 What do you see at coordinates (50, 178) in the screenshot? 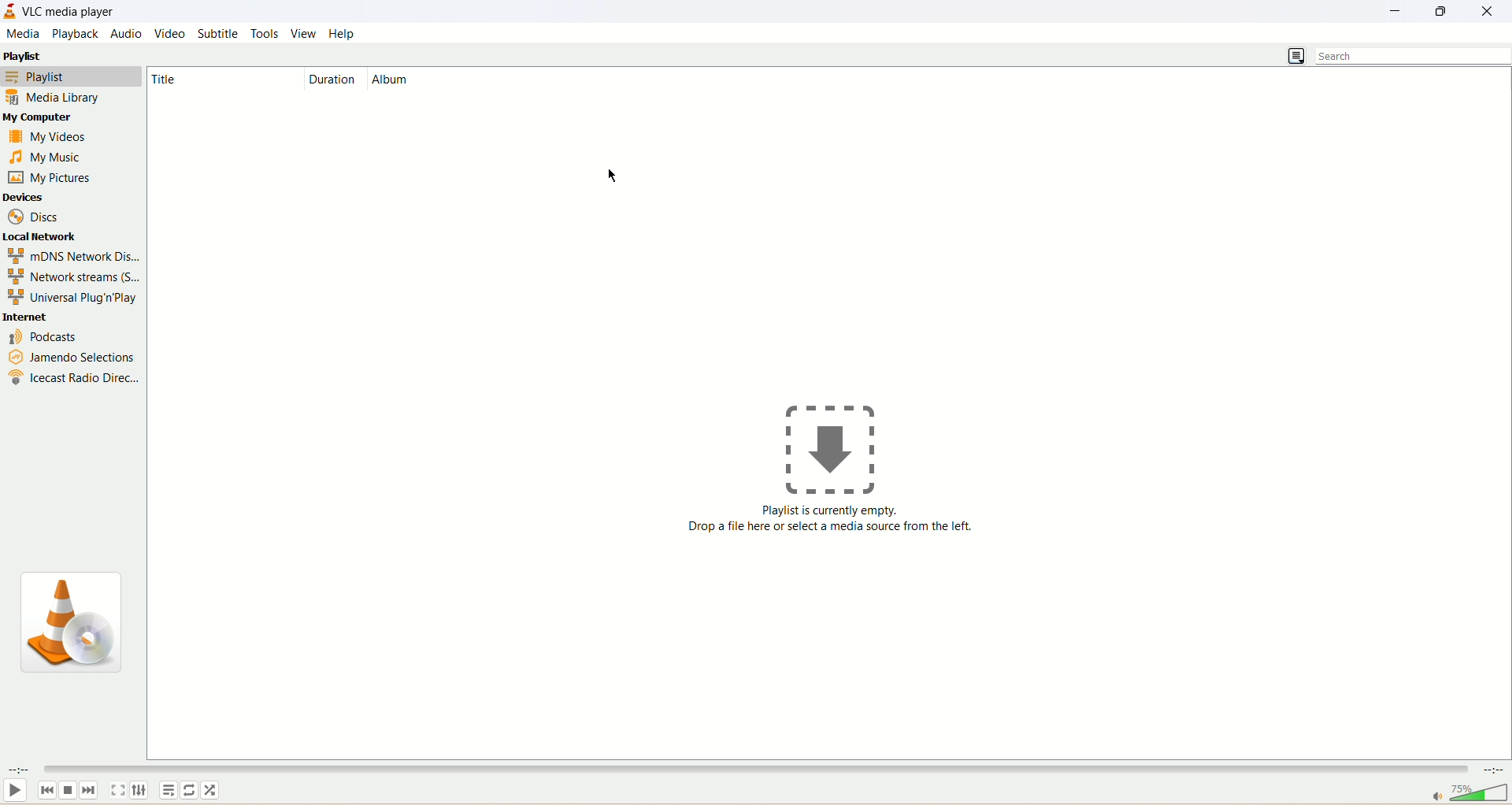
I see `my pictures` at bounding box center [50, 178].